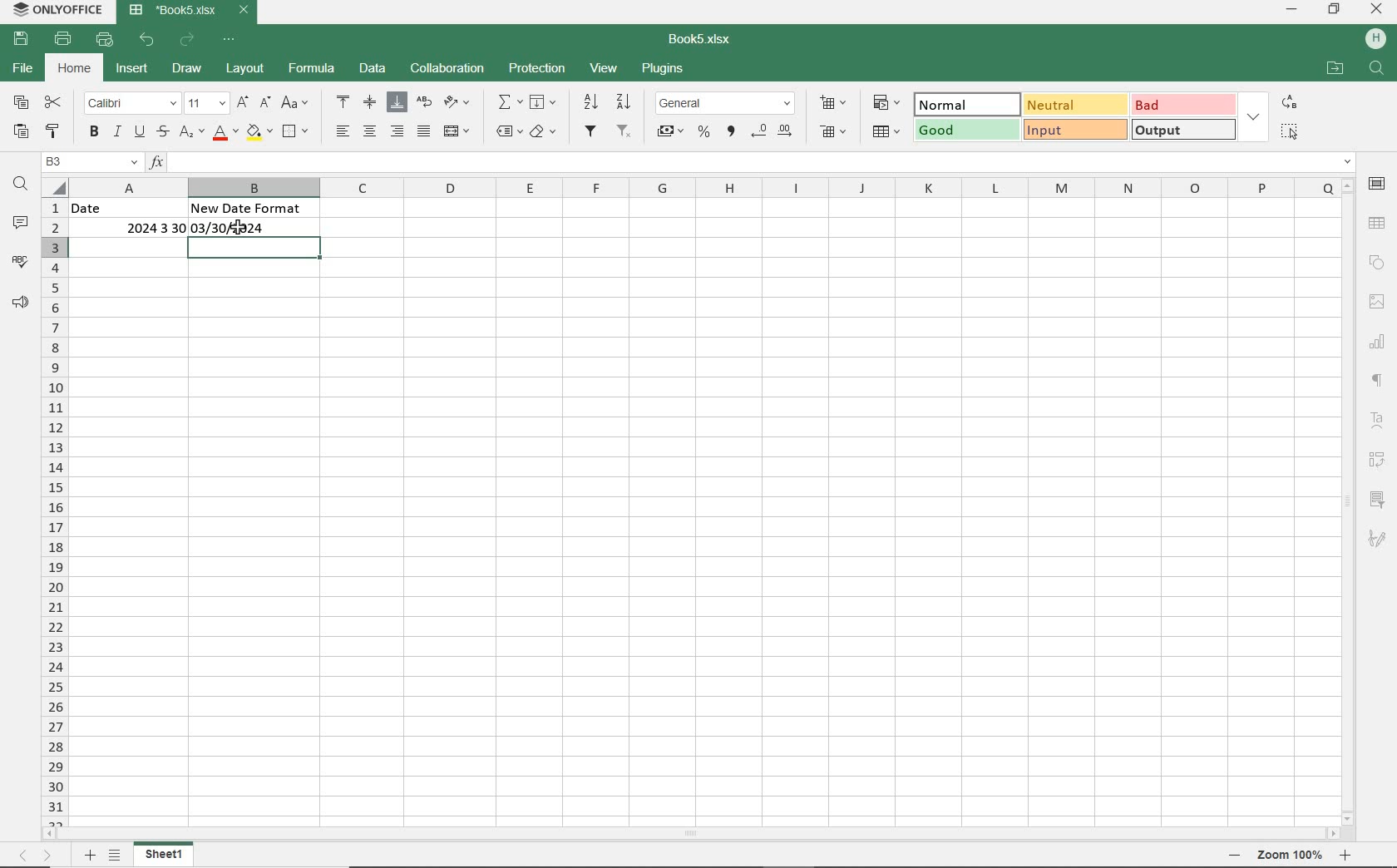 Image resolution: width=1397 pixels, height=868 pixels. Describe the element at coordinates (1380, 339) in the screenshot. I see `CHART` at that location.